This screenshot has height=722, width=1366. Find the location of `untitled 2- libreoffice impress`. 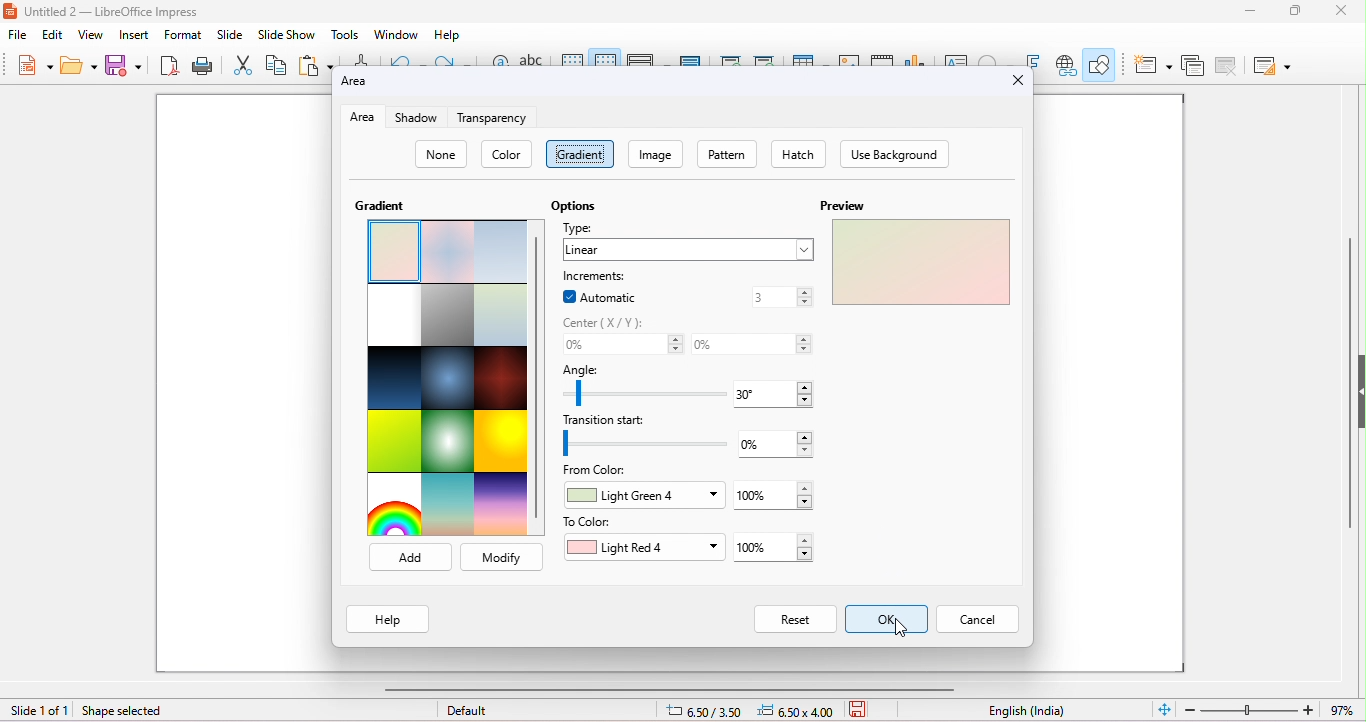

untitled 2- libreoffice impress is located at coordinates (124, 11).